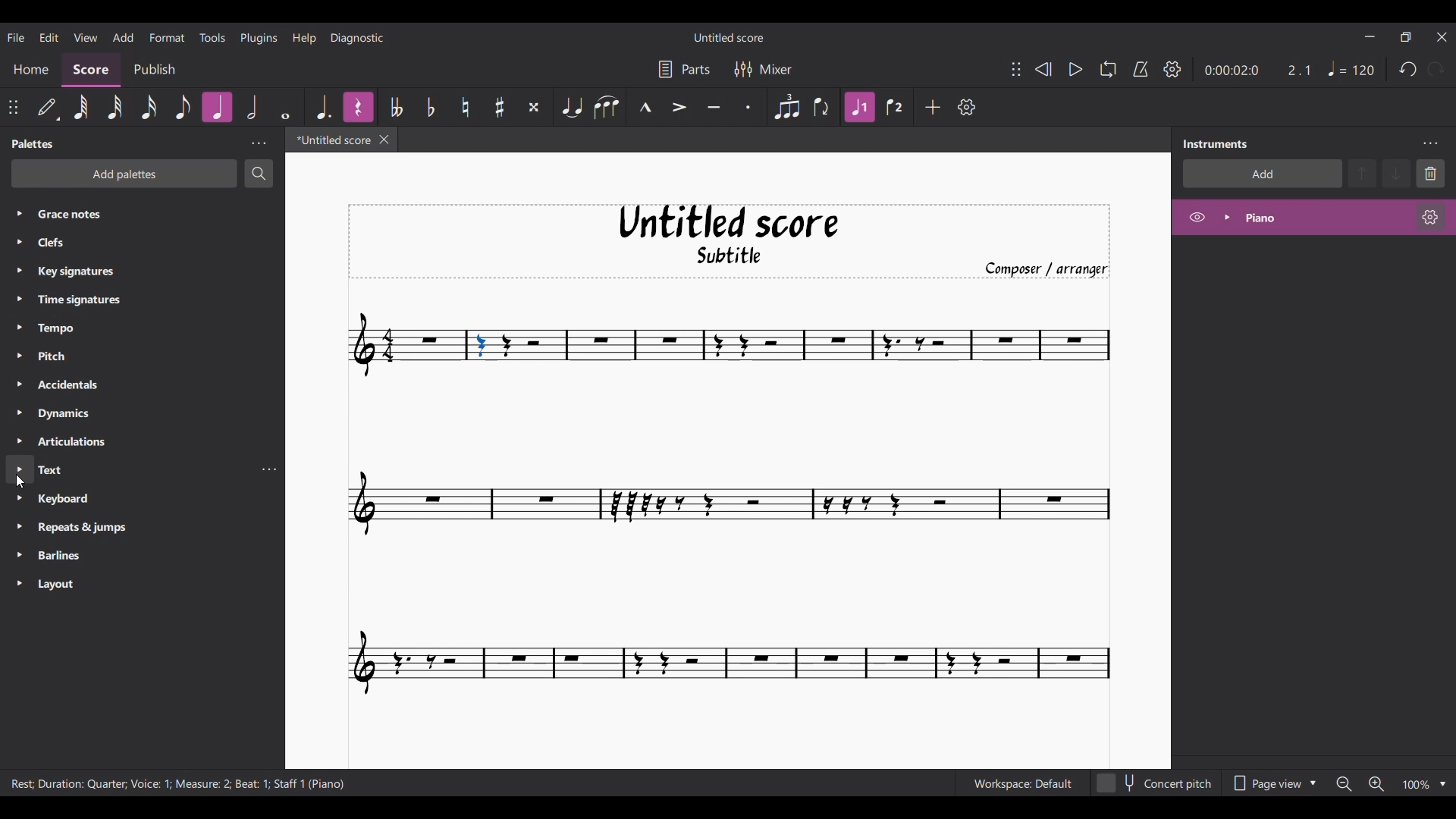 Image resolution: width=1456 pixels, height=819 pixels. I want to click on Zoom out, so click(1343, 784).